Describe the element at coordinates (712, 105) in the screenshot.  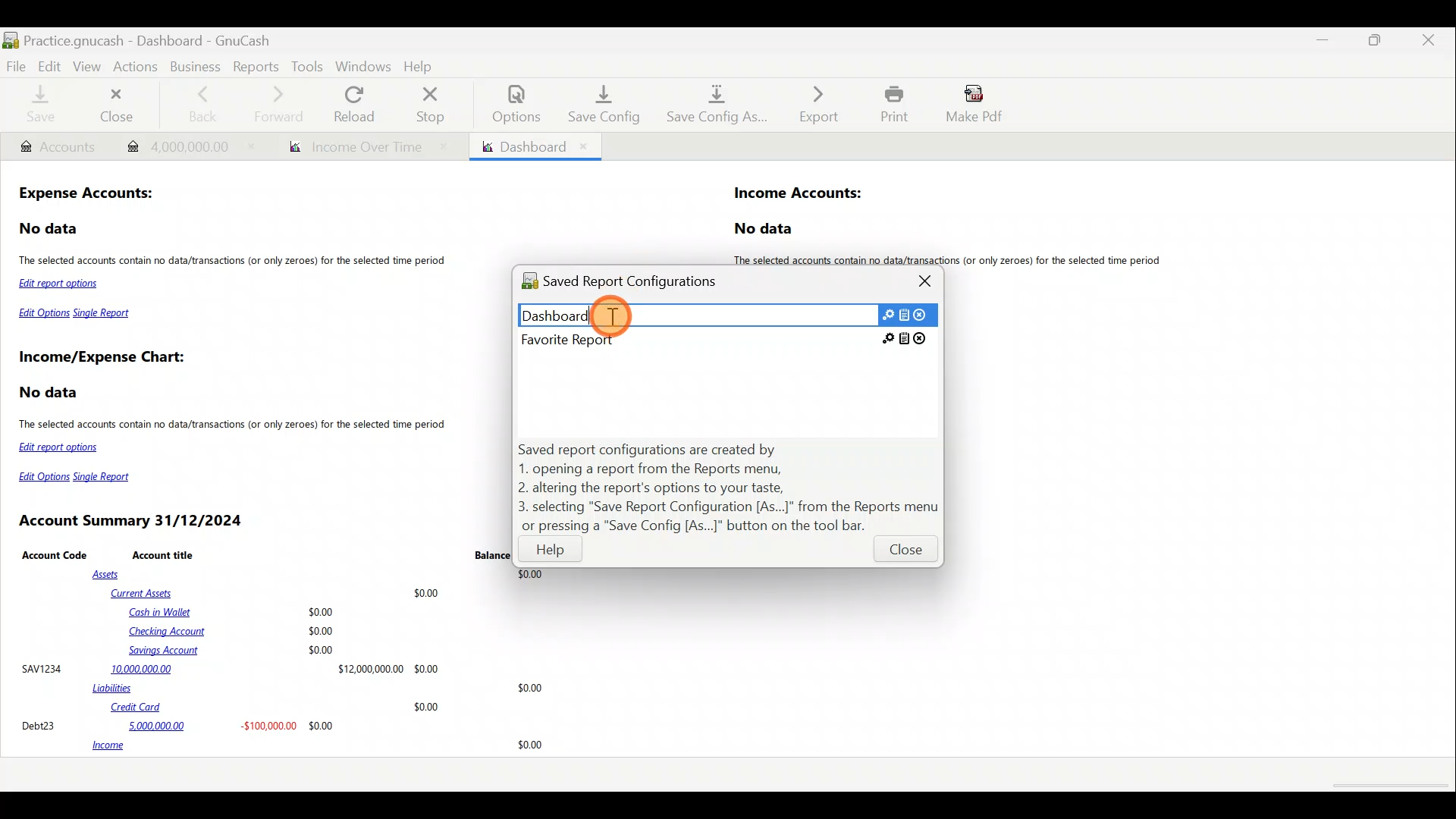
I see `Save config as` at that location.